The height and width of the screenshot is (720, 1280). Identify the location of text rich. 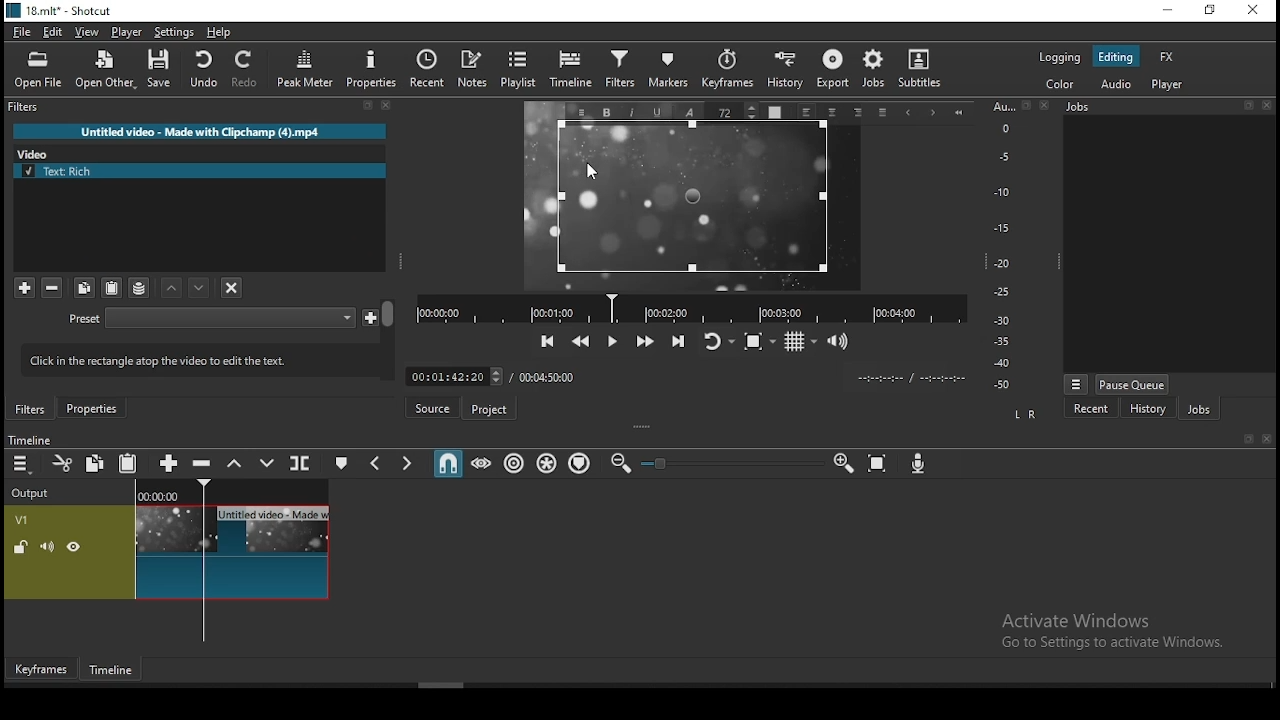
(201, 171).